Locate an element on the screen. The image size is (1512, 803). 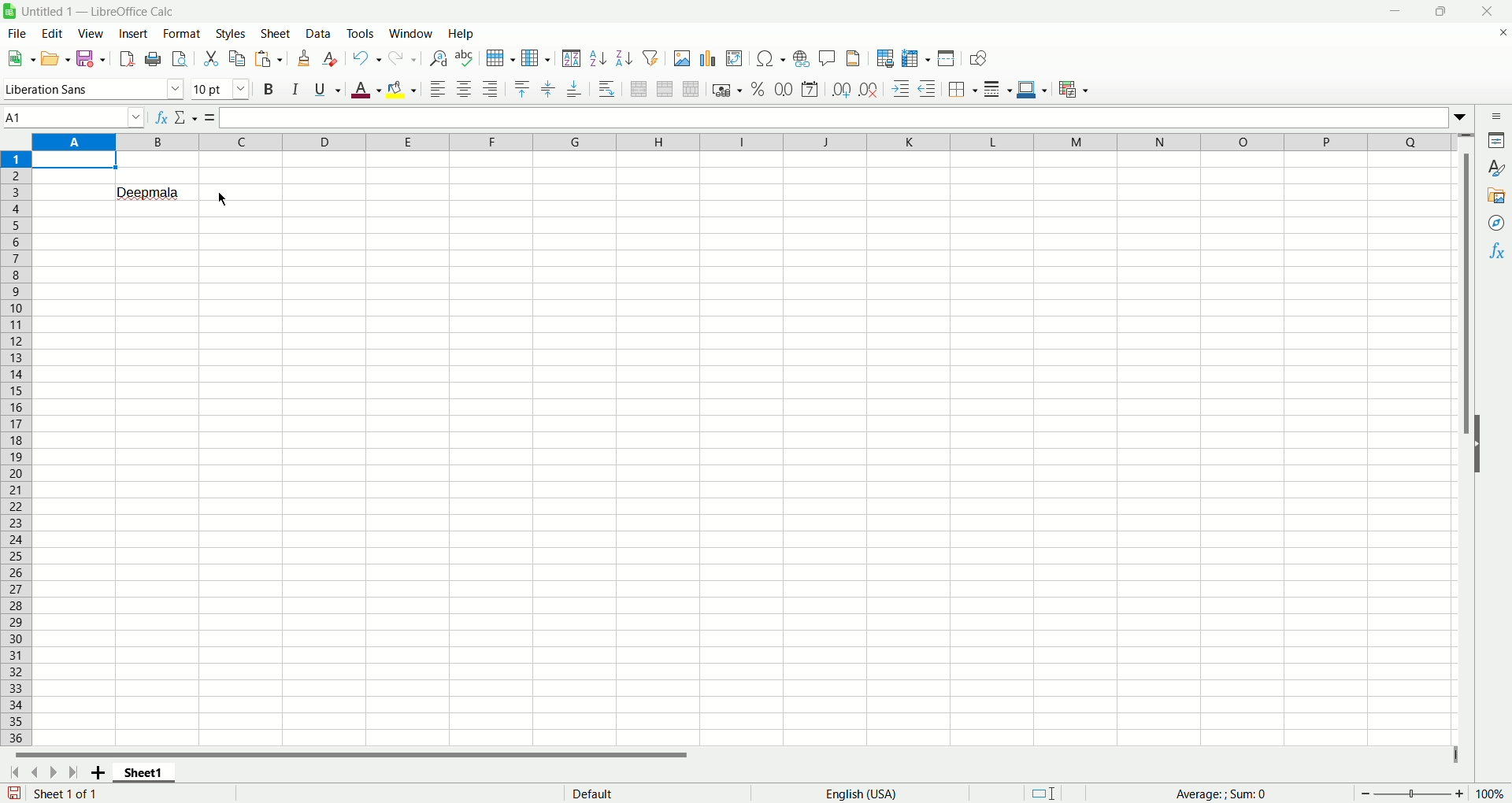
Input line is located at coordinates (843, 117).